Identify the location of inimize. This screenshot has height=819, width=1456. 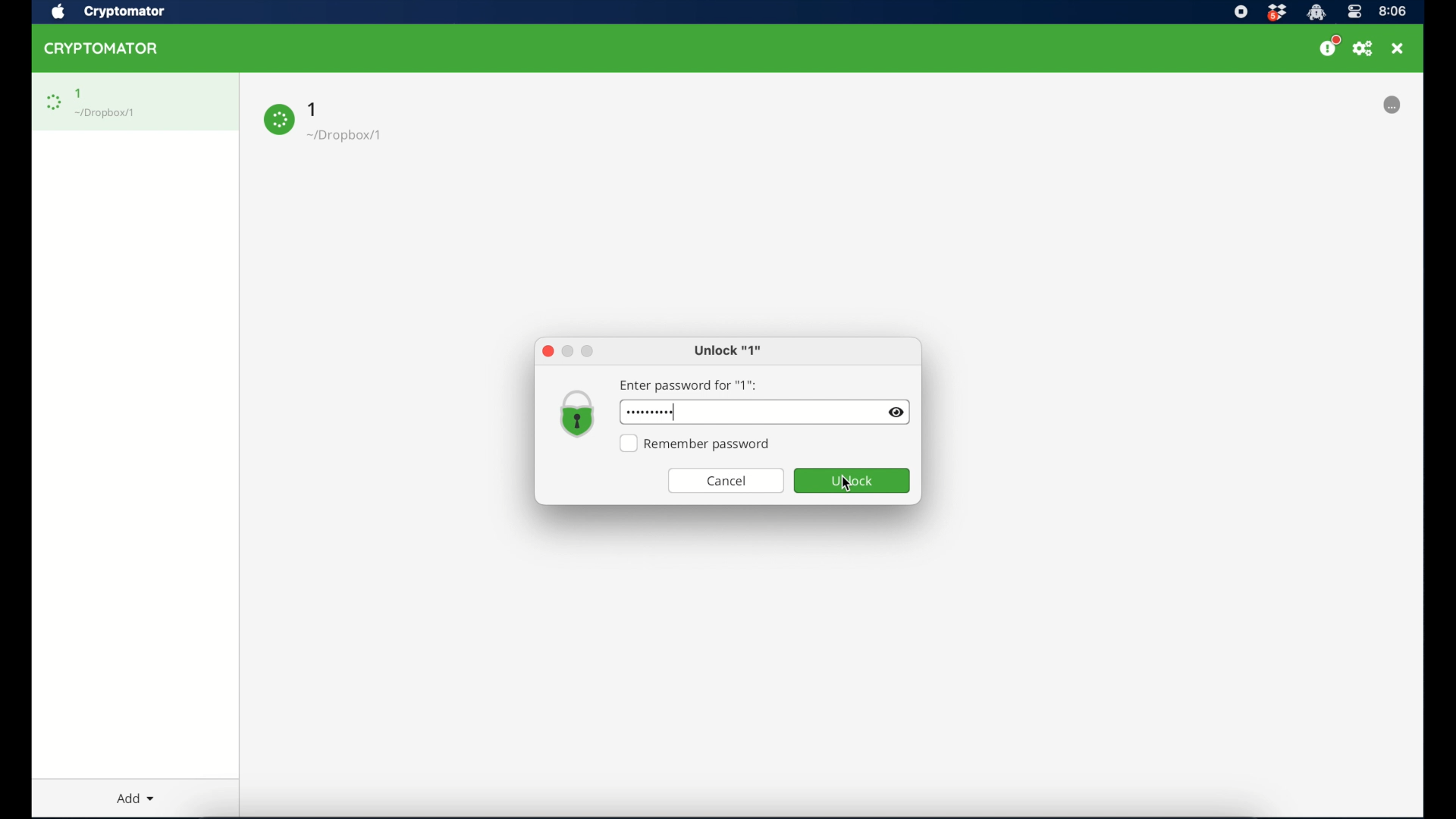
(569, 352).